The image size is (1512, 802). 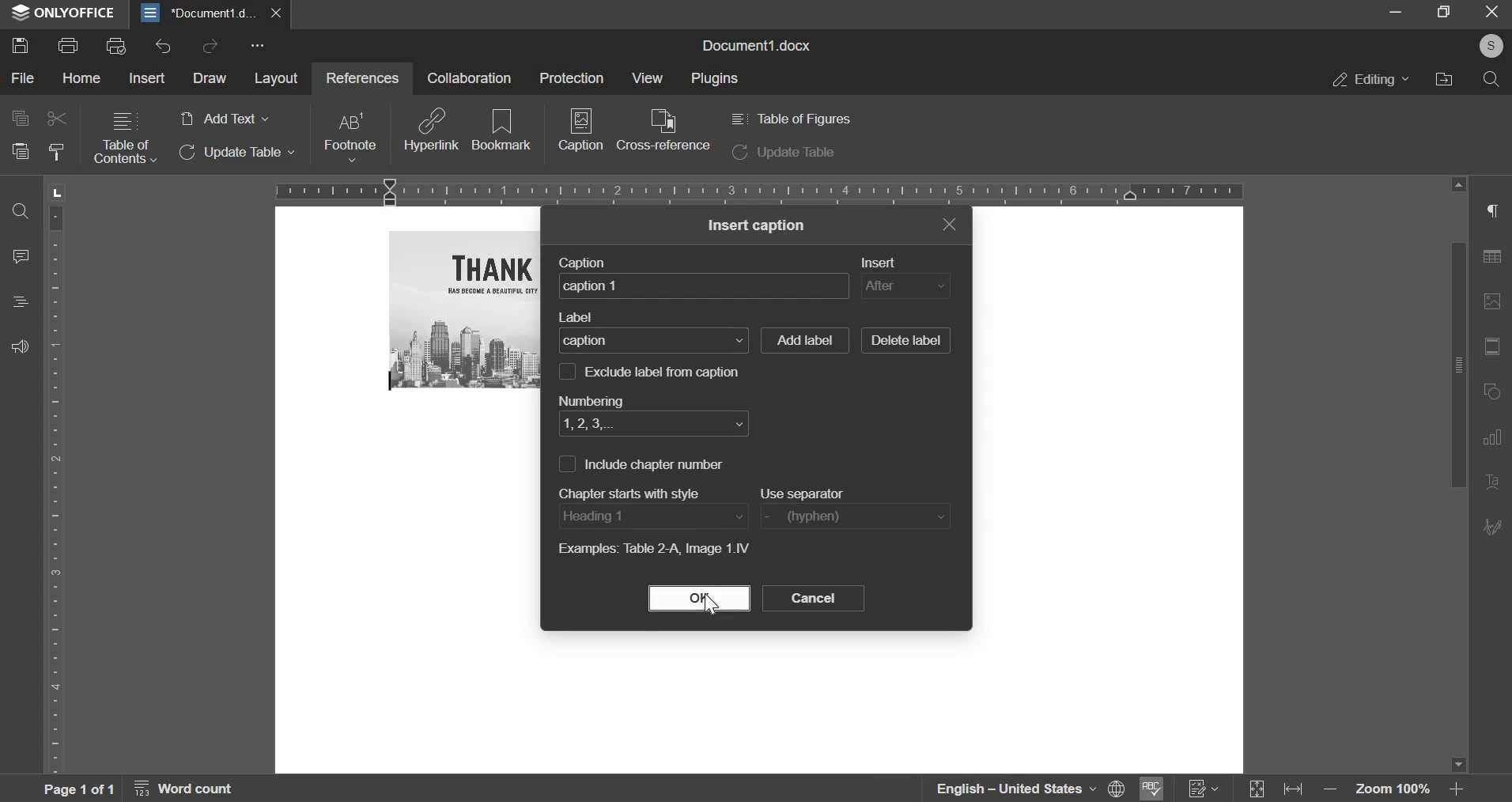 What do you see at coordinates (82, 78) in the screenshot?
I see `home` at bounding box center [82, 78].